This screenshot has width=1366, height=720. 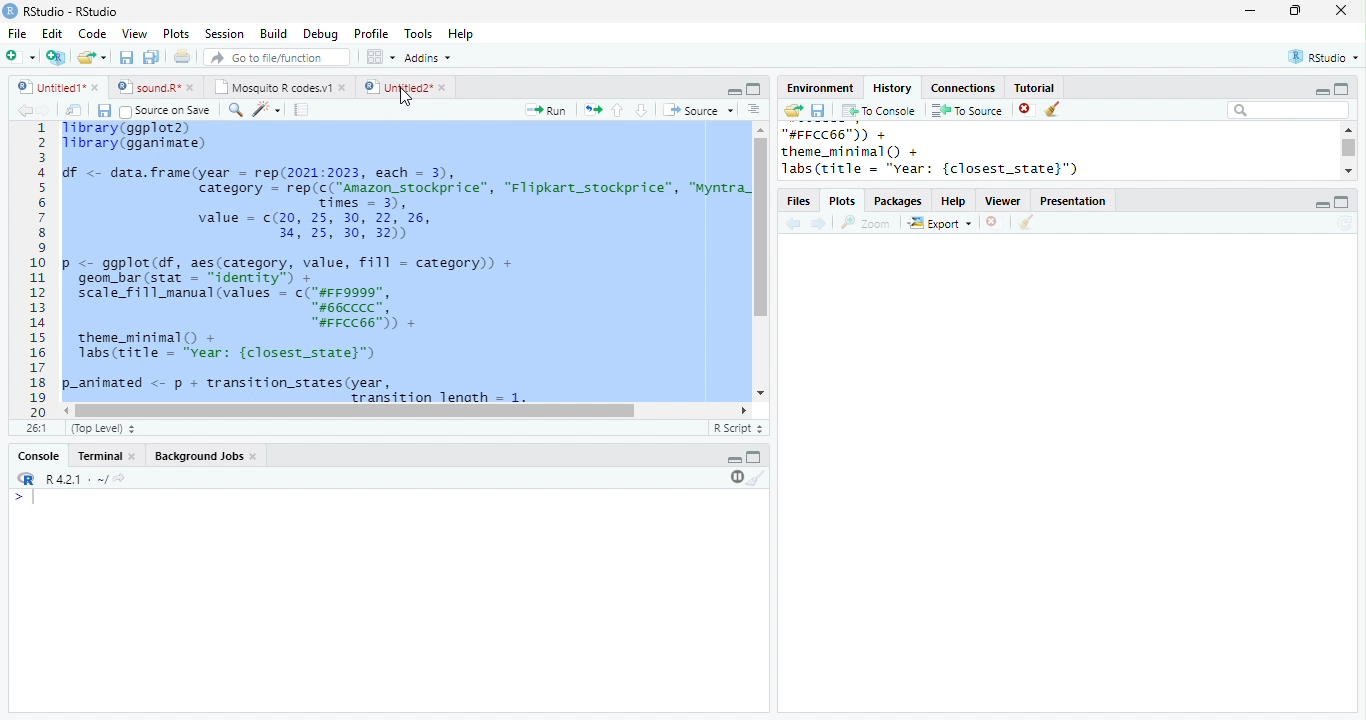 What do you see at coordinates (23, 110) in the screenshot?
I see `back` at bounding box center [23, 110].